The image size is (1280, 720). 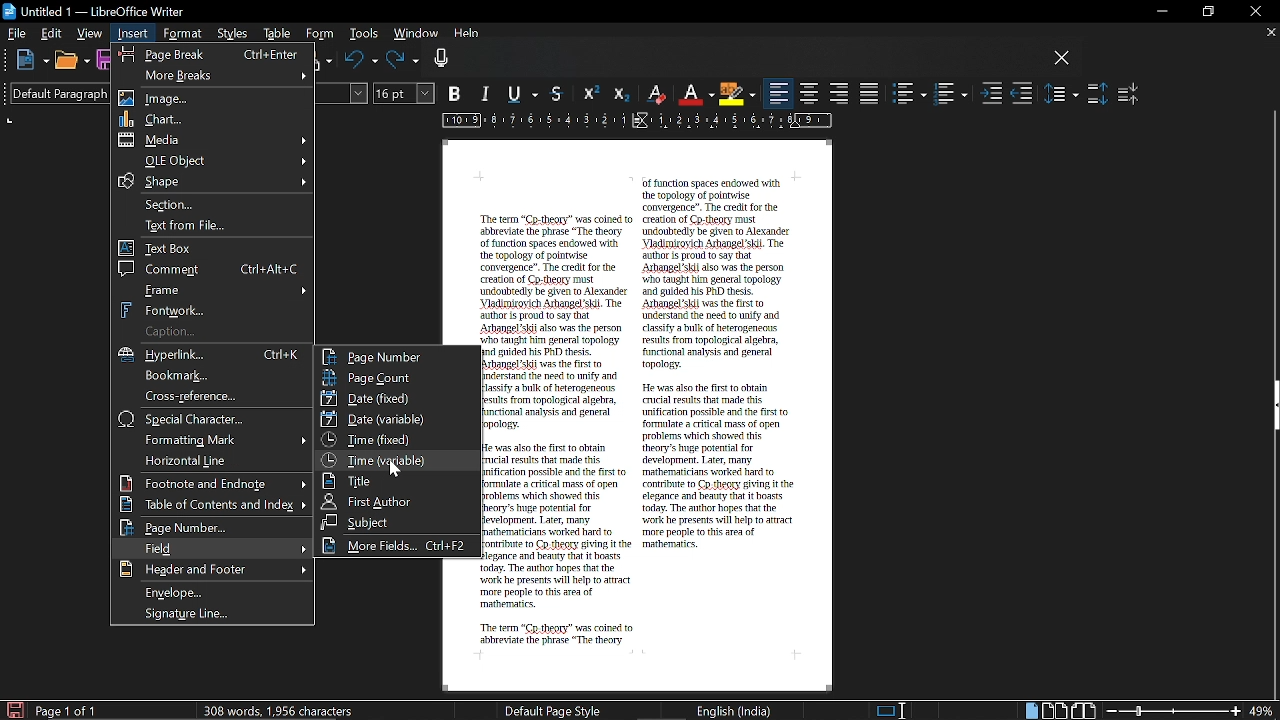 What do you see at coordinates (589, 94) in the screenshot?
I see `Superscript` at bounding box center [589, 94].